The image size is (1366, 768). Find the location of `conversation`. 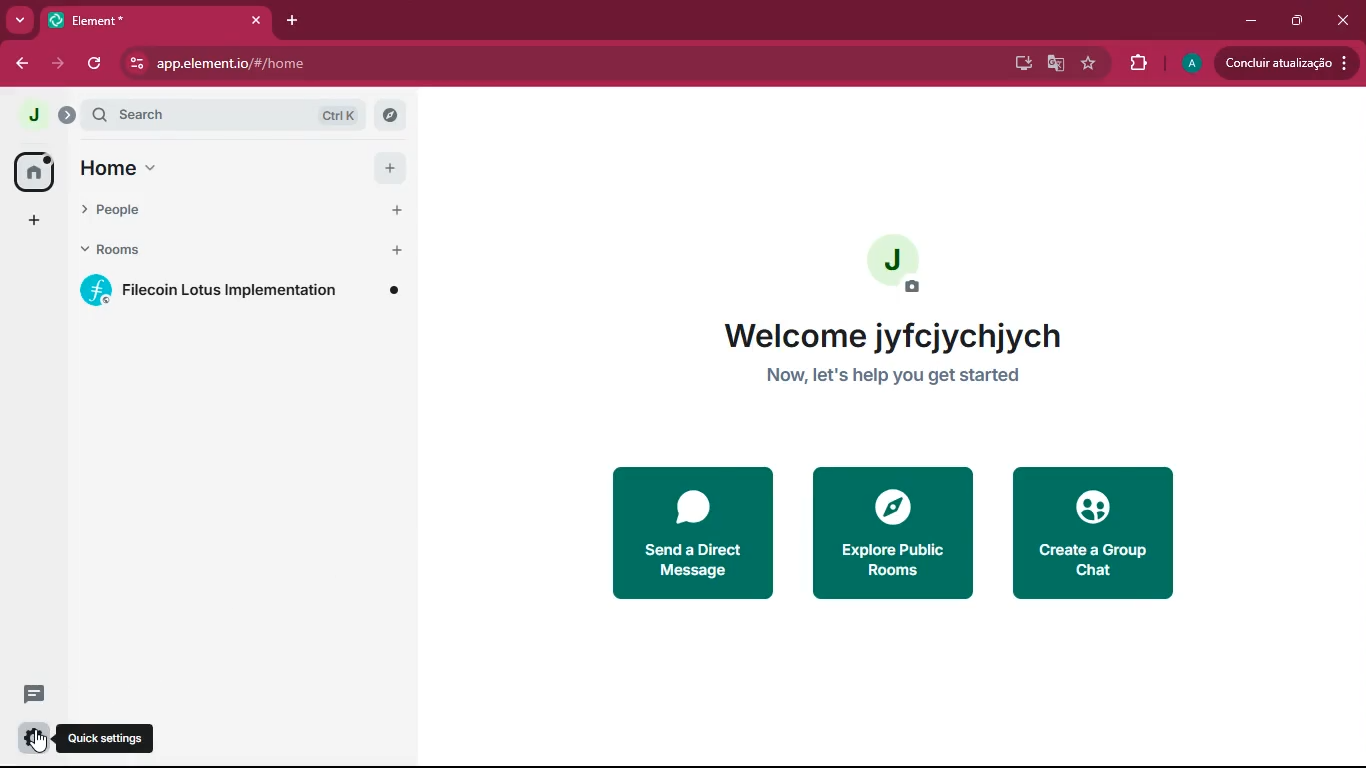

conversation is located at coordinates (32, 693).